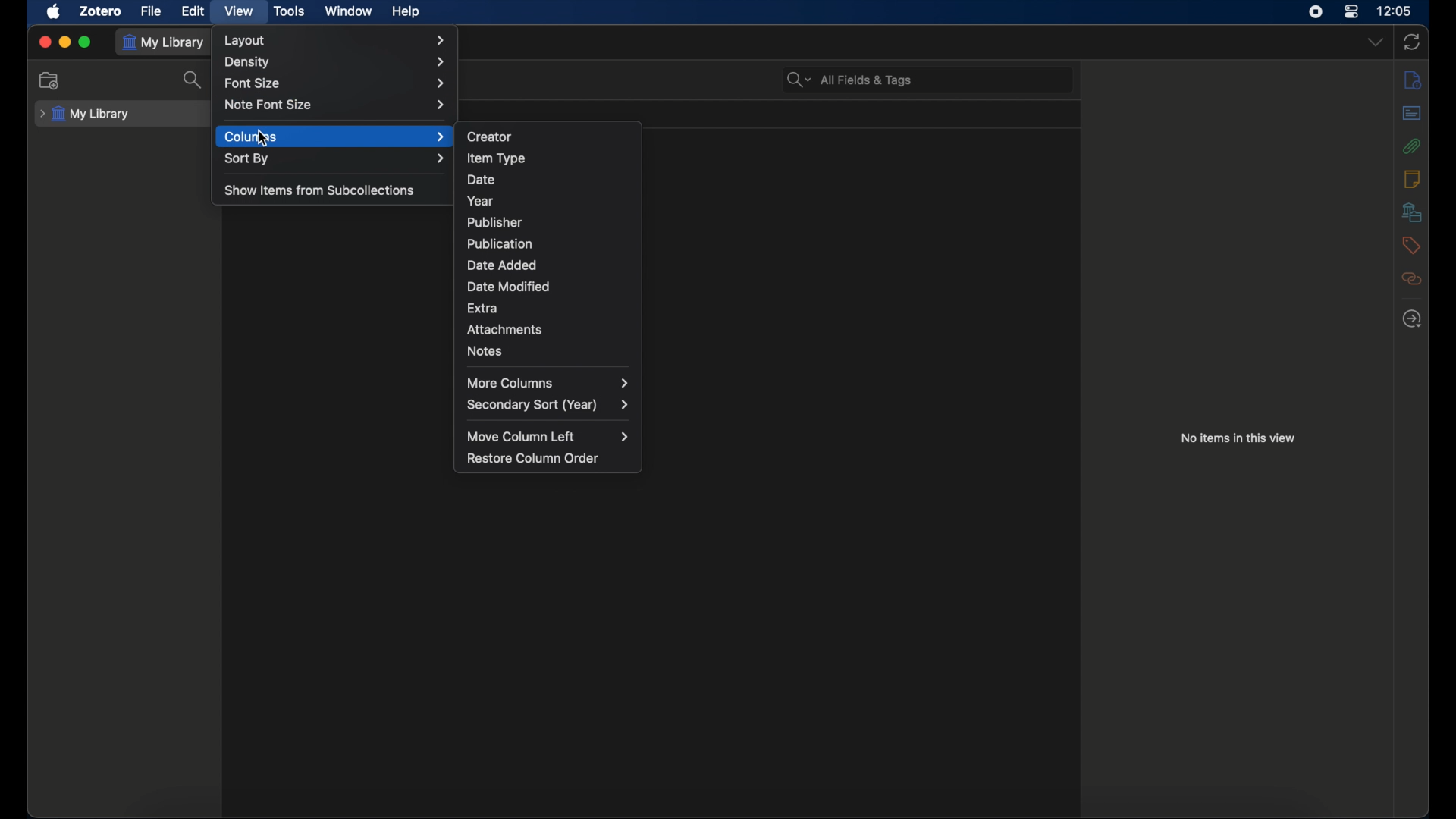  Describe the element at coordinates (86, 42) in the screenshot. I see `maximize` at that location.